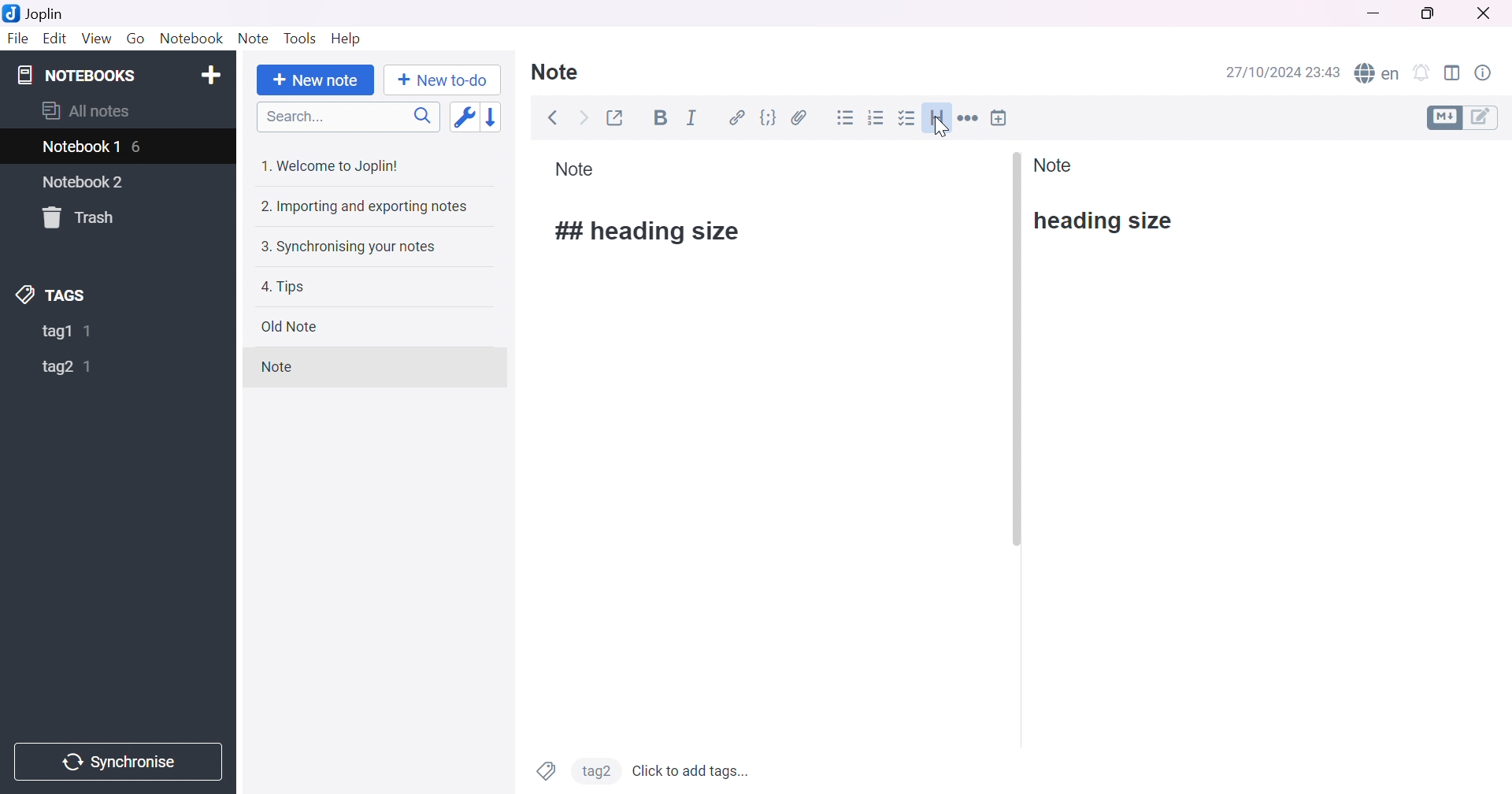  I want to click on 1, so click(91, 331).